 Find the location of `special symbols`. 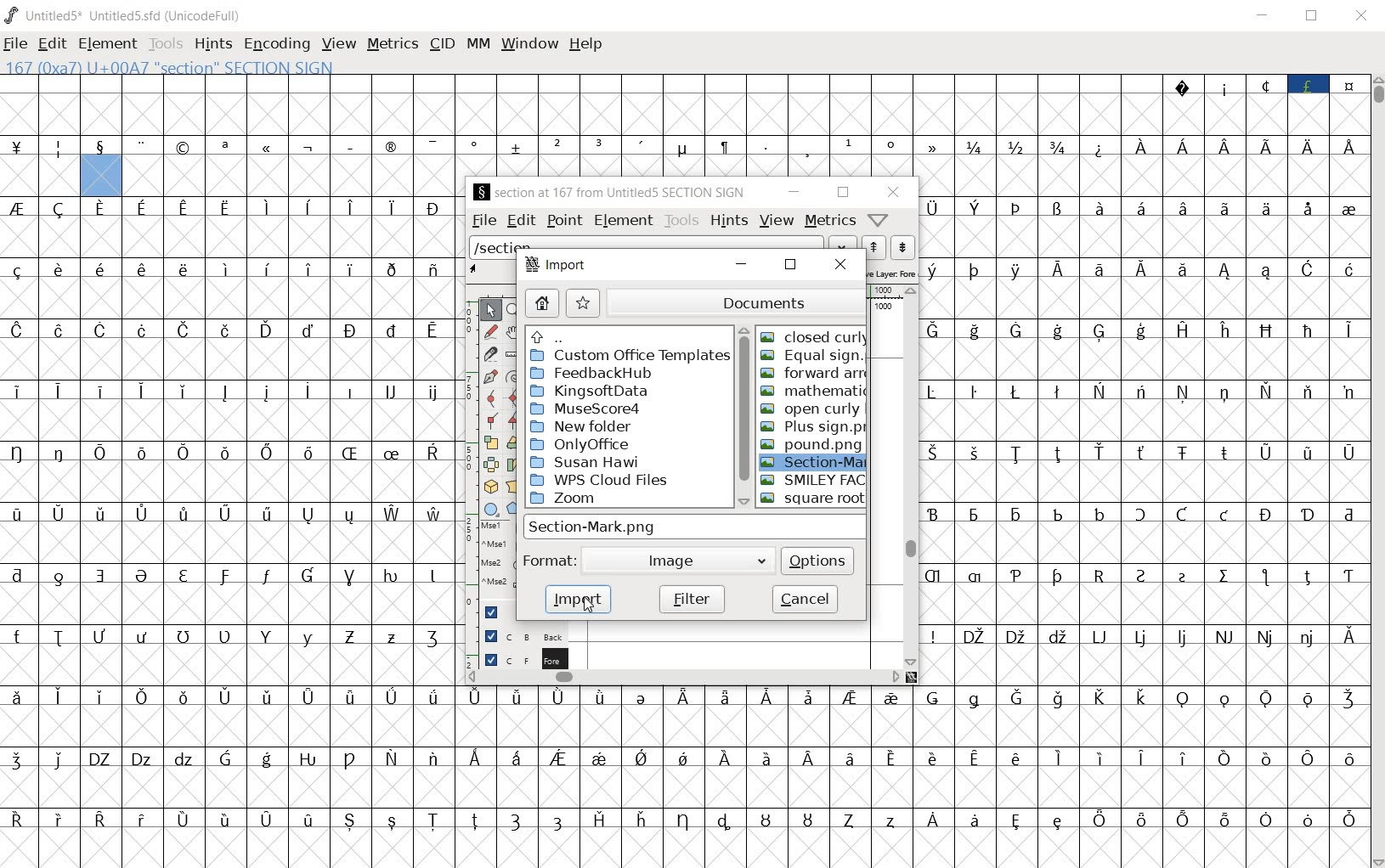

special symbols is located at coordinates (1263, 82).